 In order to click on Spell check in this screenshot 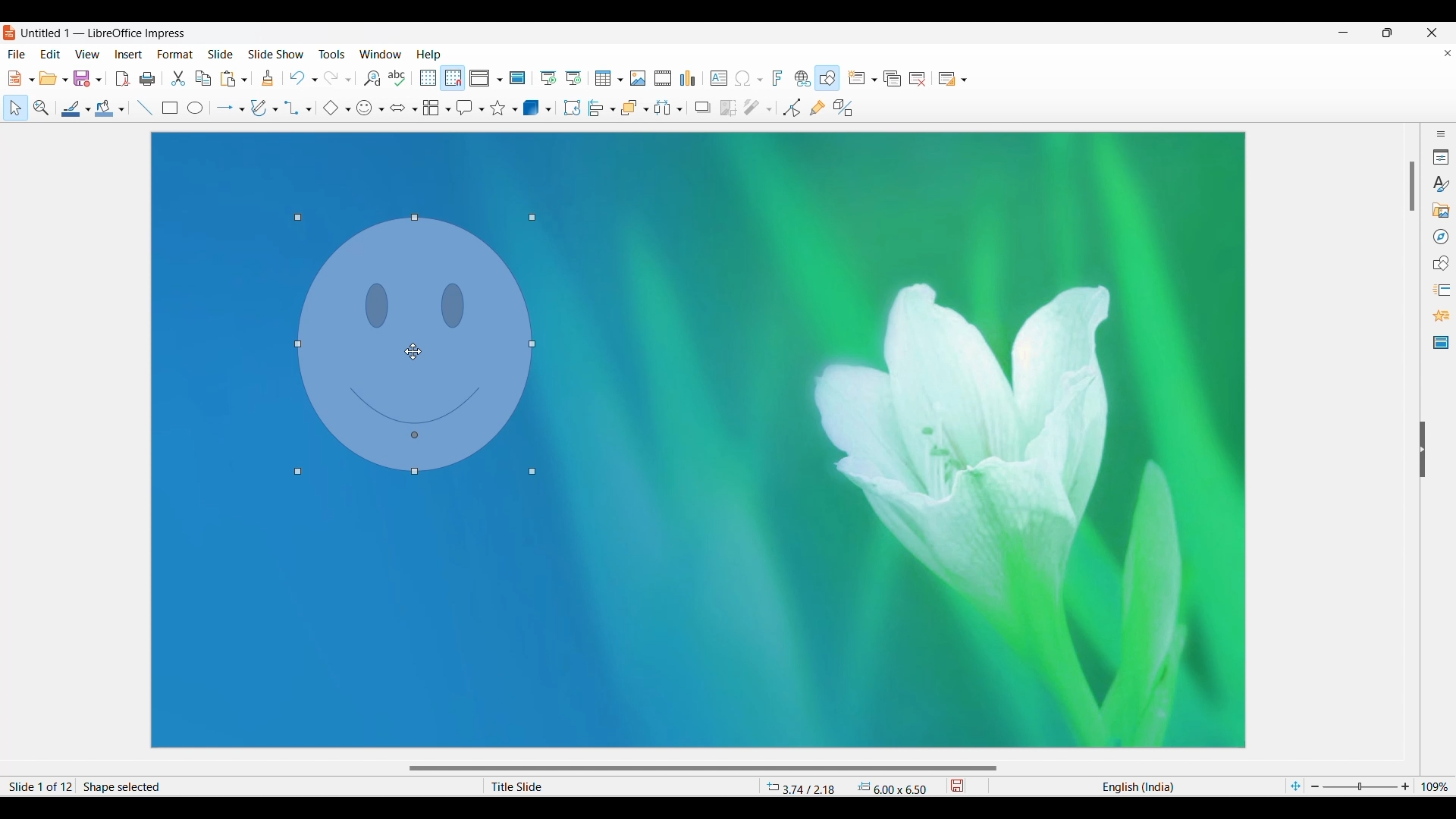, I will do `click(397, 78)`.